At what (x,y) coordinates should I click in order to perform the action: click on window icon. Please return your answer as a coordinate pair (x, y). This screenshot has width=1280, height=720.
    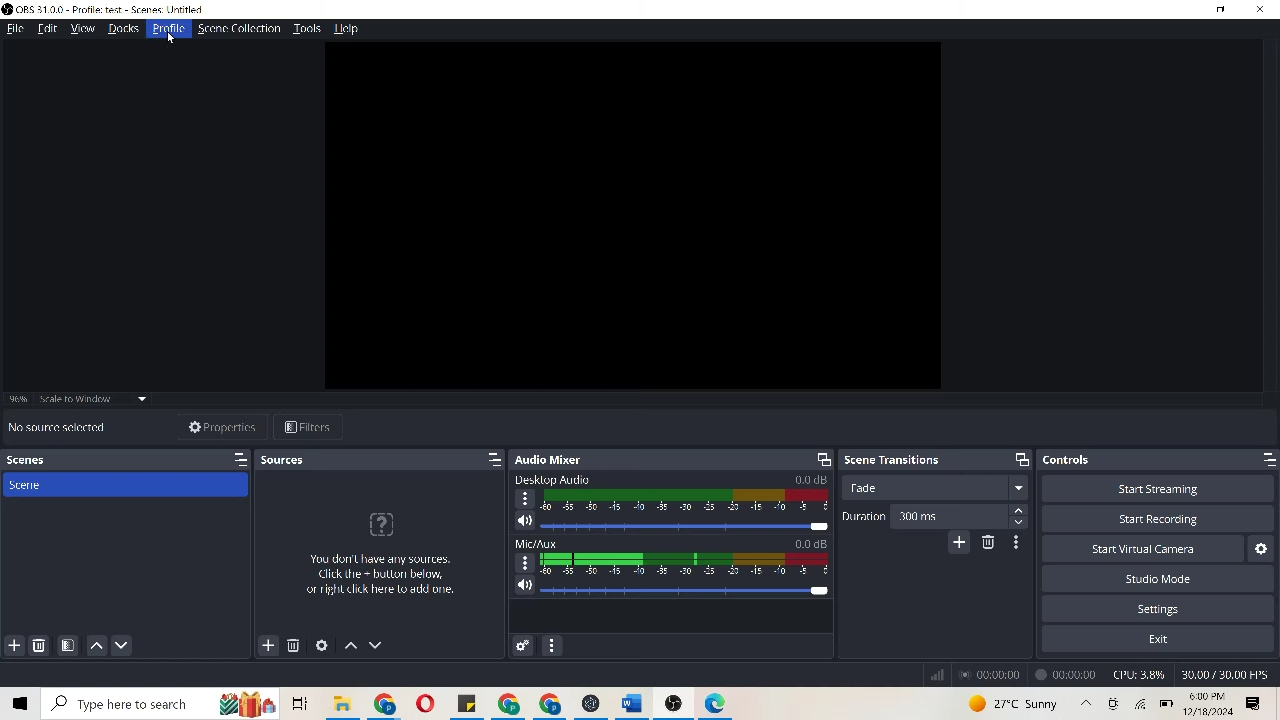
    Looking at the image, I should click on (21, 706).